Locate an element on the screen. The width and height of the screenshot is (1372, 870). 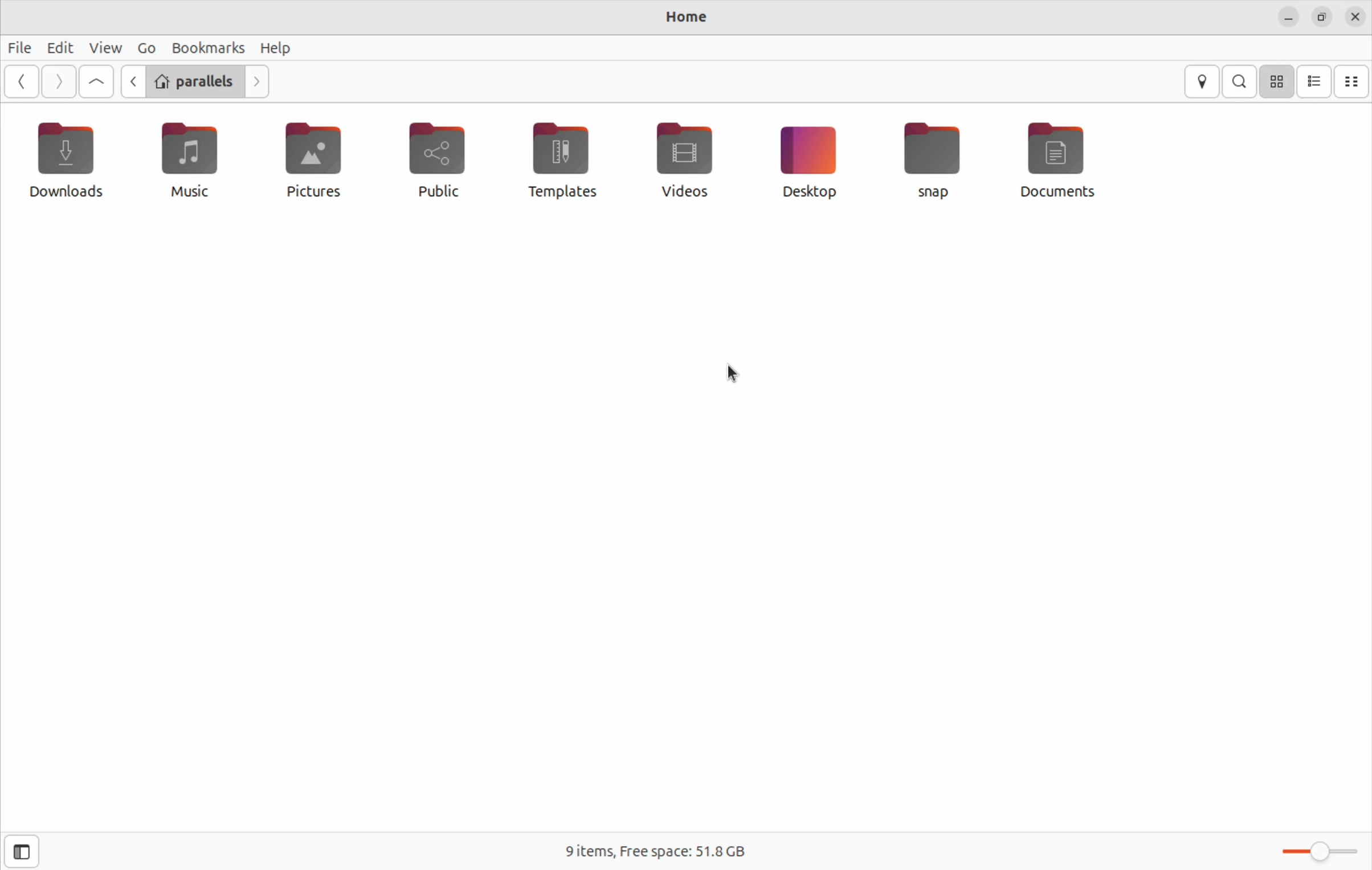
icon view is located at coordinates (1279, 81).